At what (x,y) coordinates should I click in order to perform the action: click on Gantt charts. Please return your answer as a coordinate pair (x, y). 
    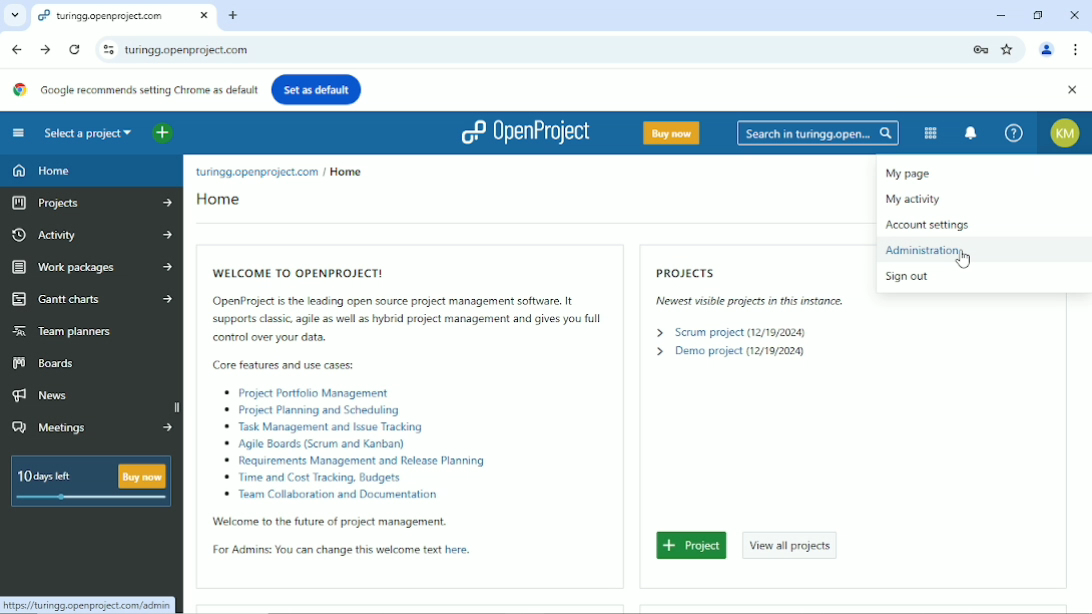
    Looking at the image, I should click on (93, 300).